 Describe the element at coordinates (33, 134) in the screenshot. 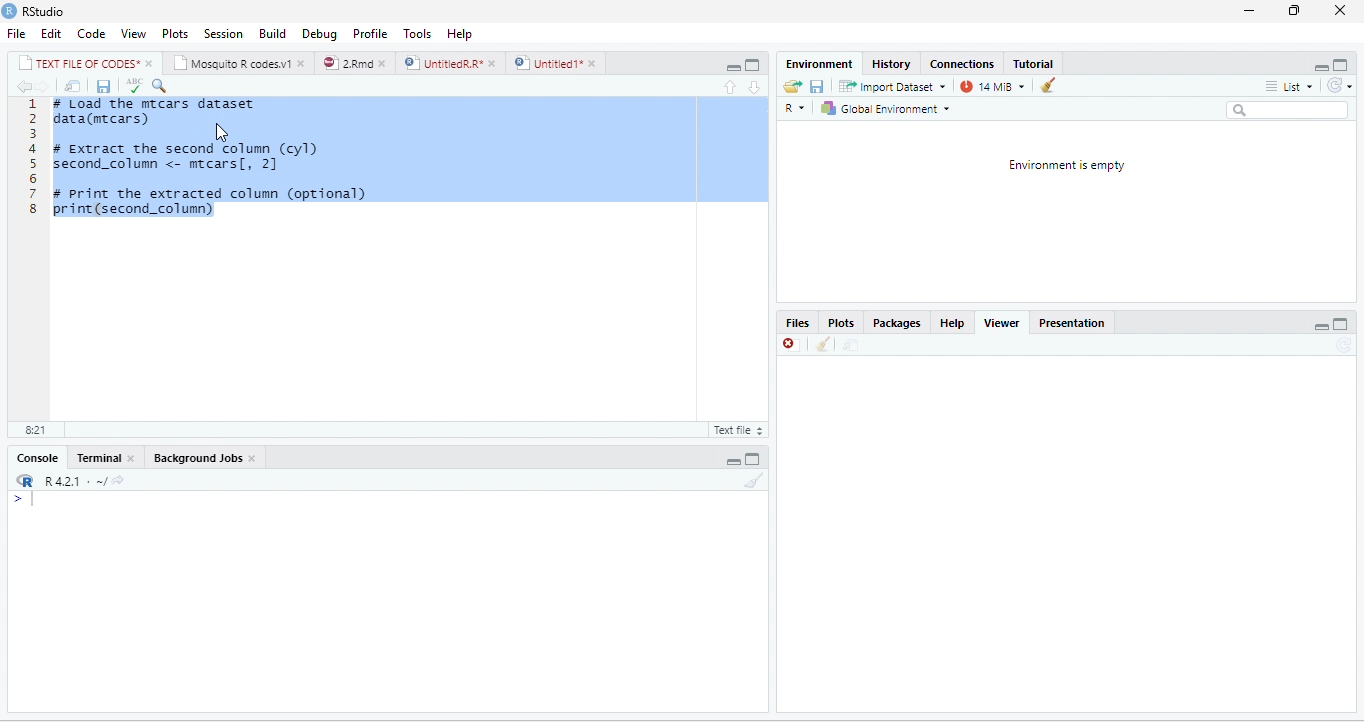

I see `3` at that location.